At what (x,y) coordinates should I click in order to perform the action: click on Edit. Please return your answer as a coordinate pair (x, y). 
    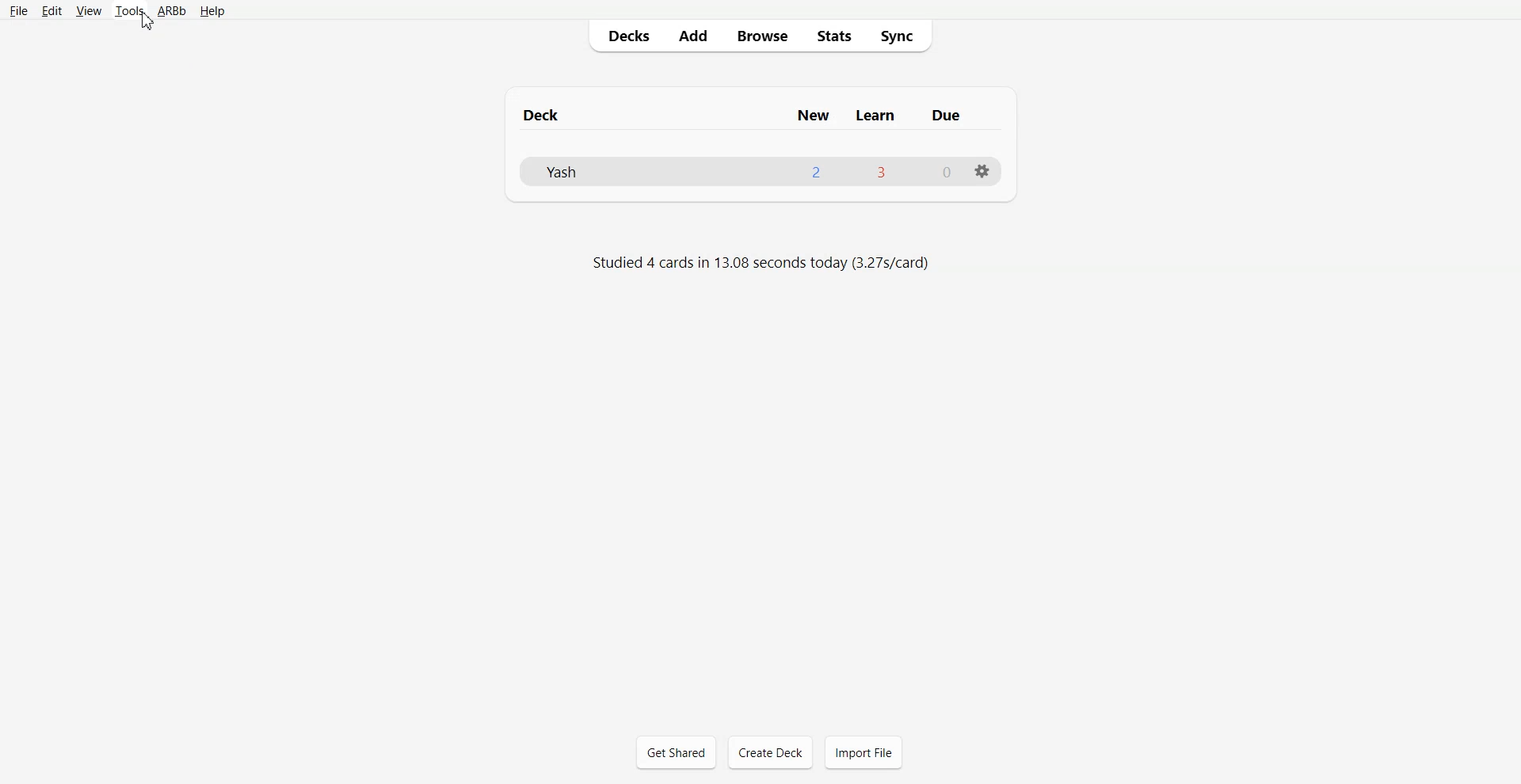
    Looking at the image, I should click on (51, 10).